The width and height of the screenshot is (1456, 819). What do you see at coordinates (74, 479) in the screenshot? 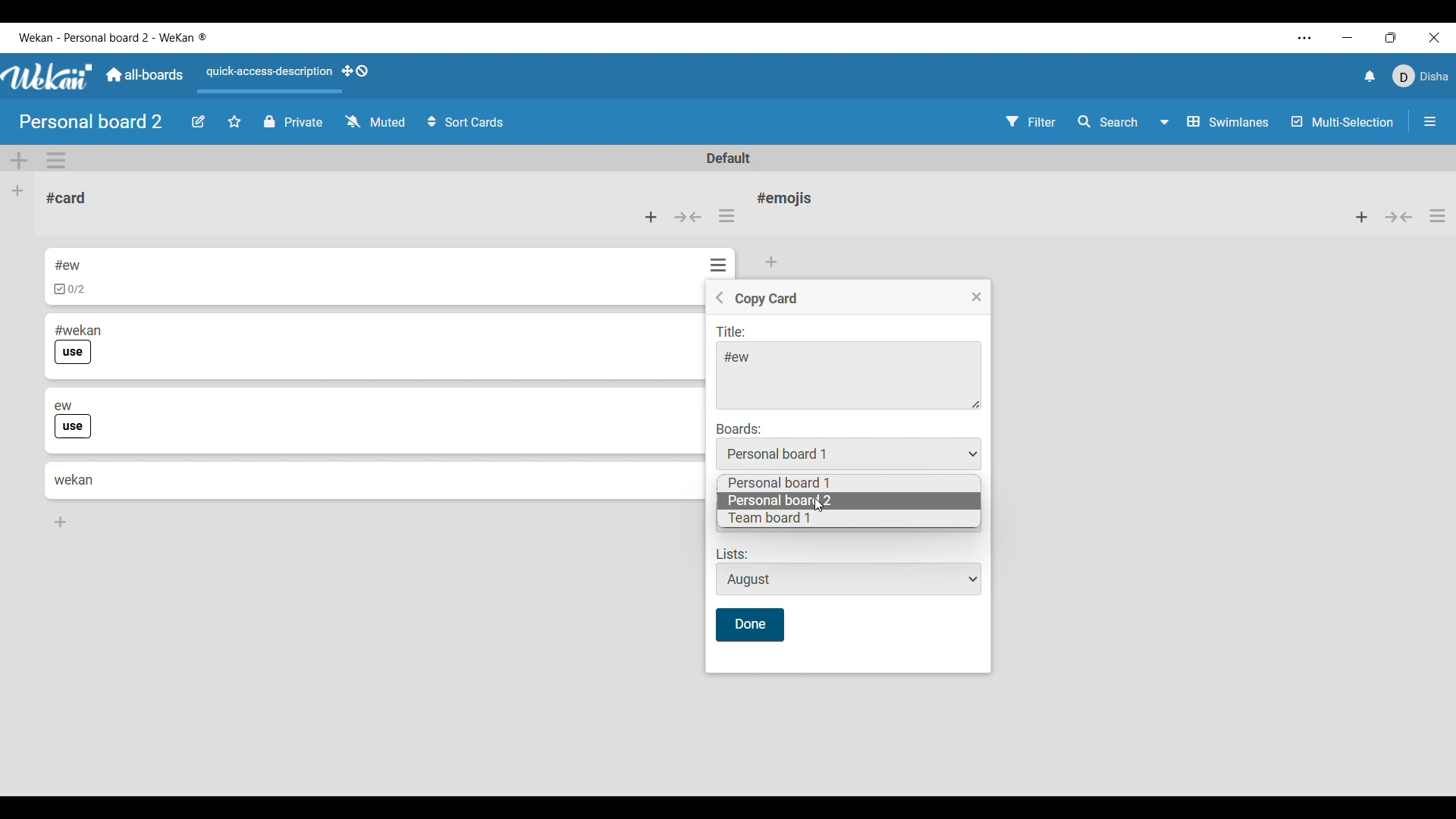
I see `Card 4` at bounding box center [74, 479].